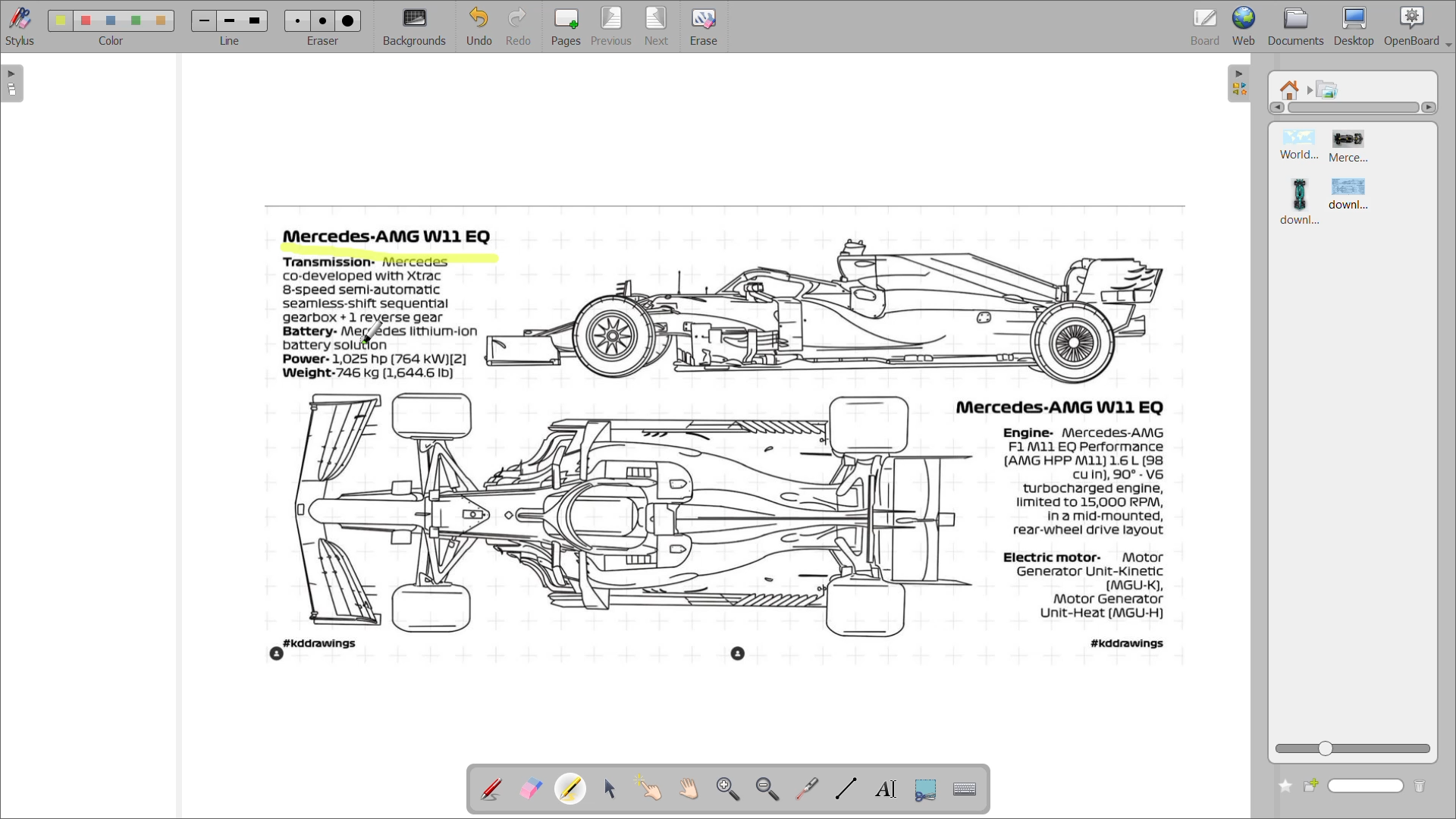  I want to click on draw lines, so click(849, 787).